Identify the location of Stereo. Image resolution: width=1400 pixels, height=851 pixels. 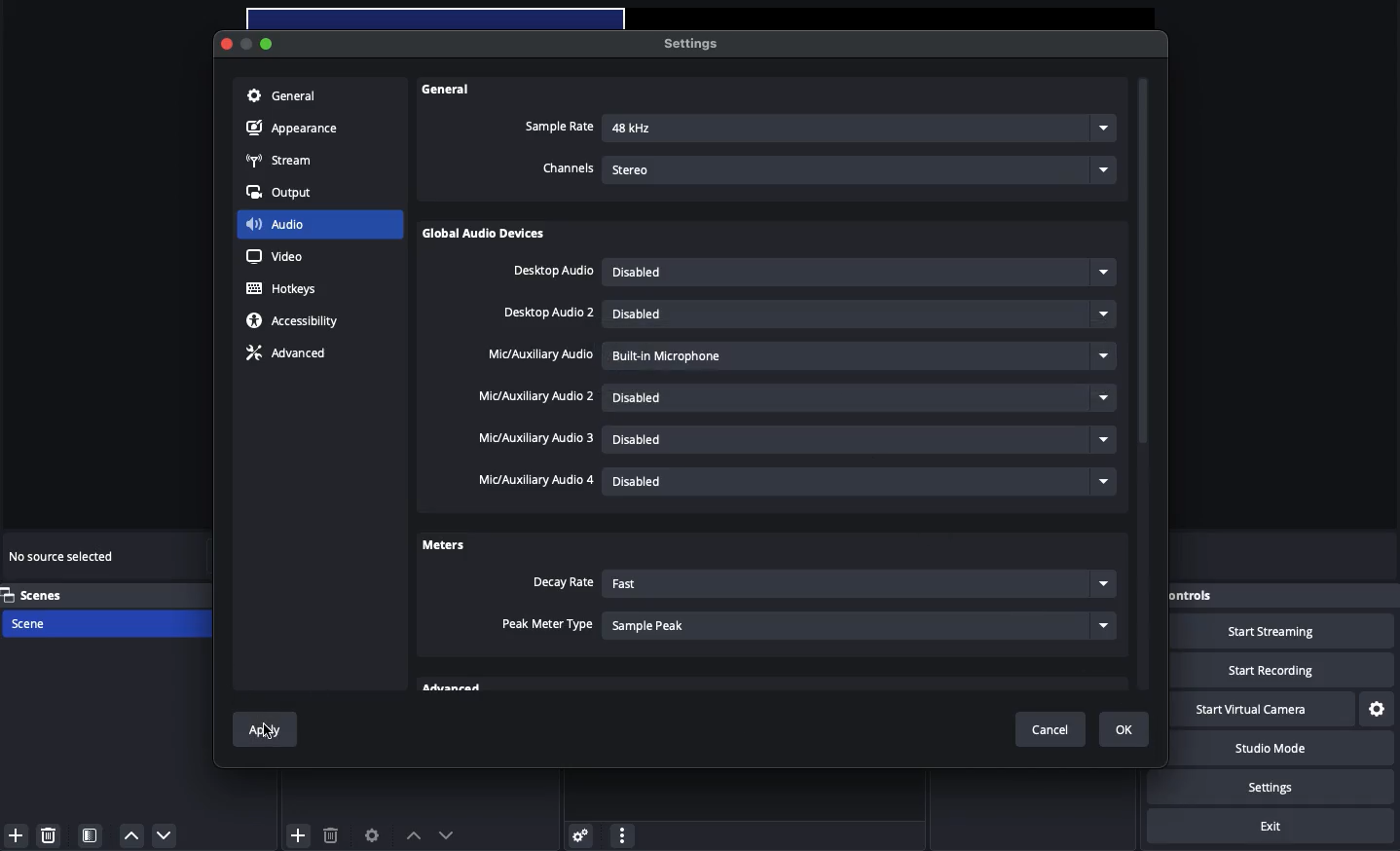
(863, 167).